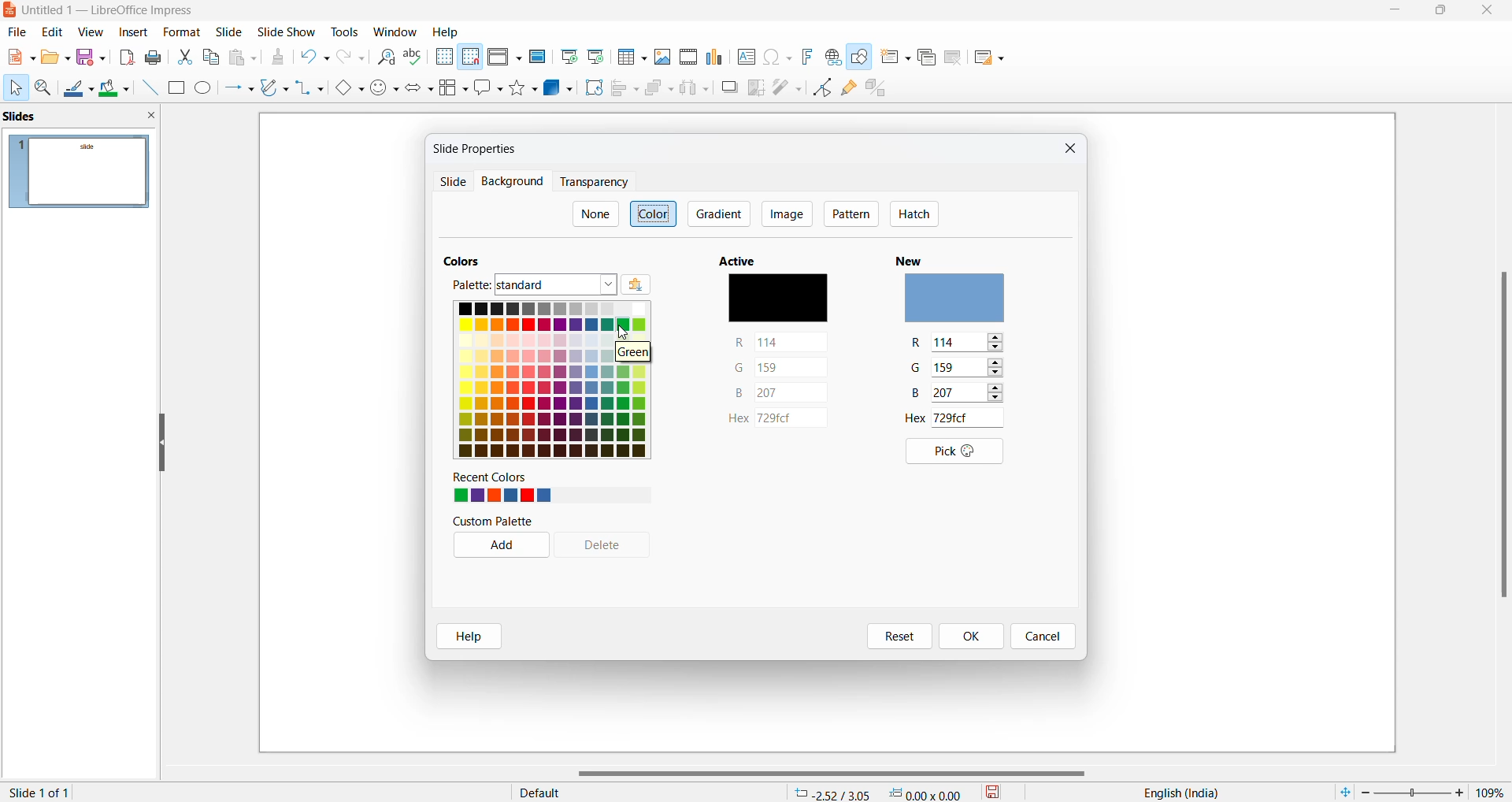 The image size is (1512, 802). I want to click on B value , so click(917, 394).